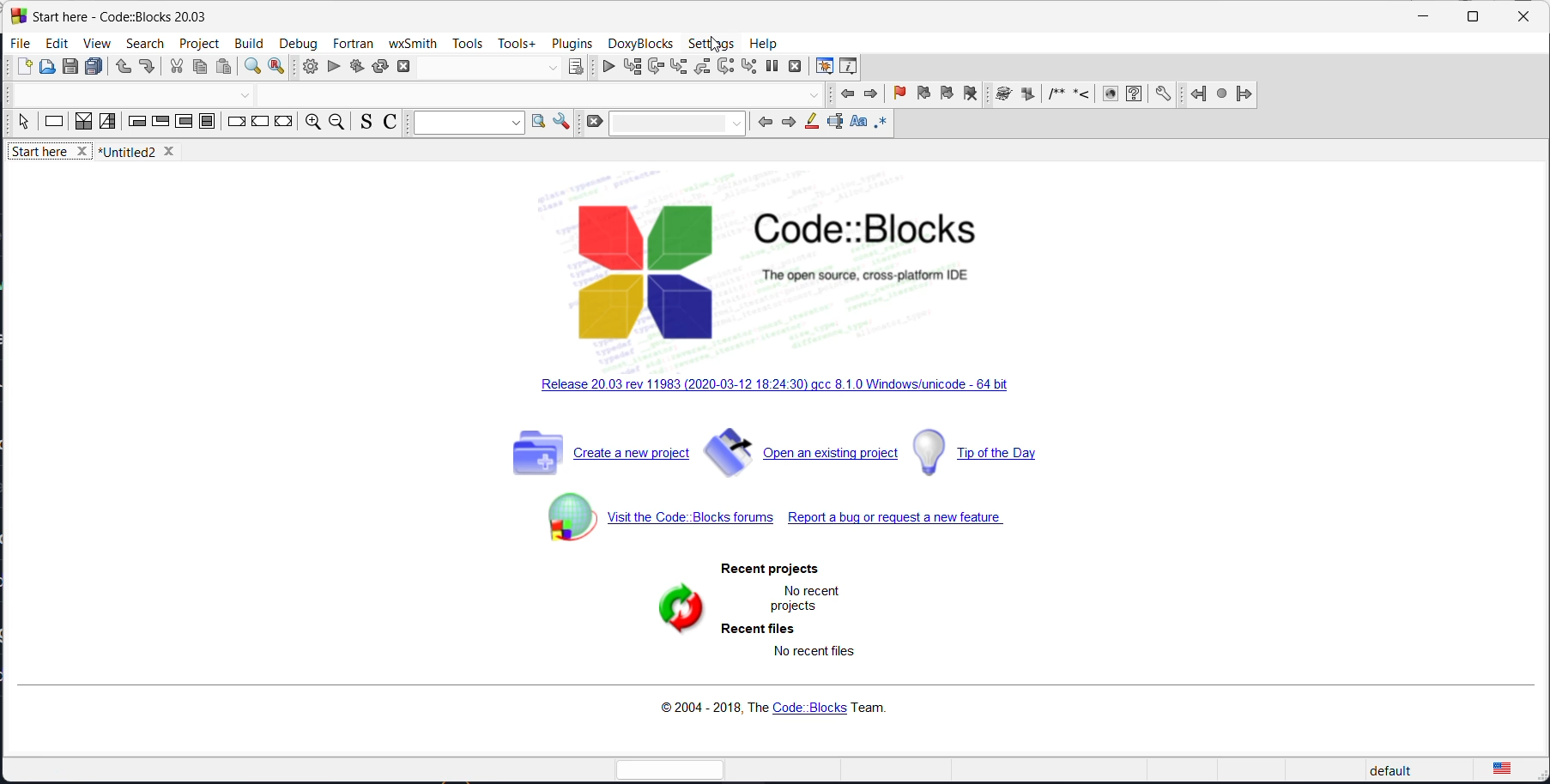 The image size is (1550, 784). What do you see at coordinates (380, 65) in the screenshot?
I see `rebuild` at bounding box center [380, 65].